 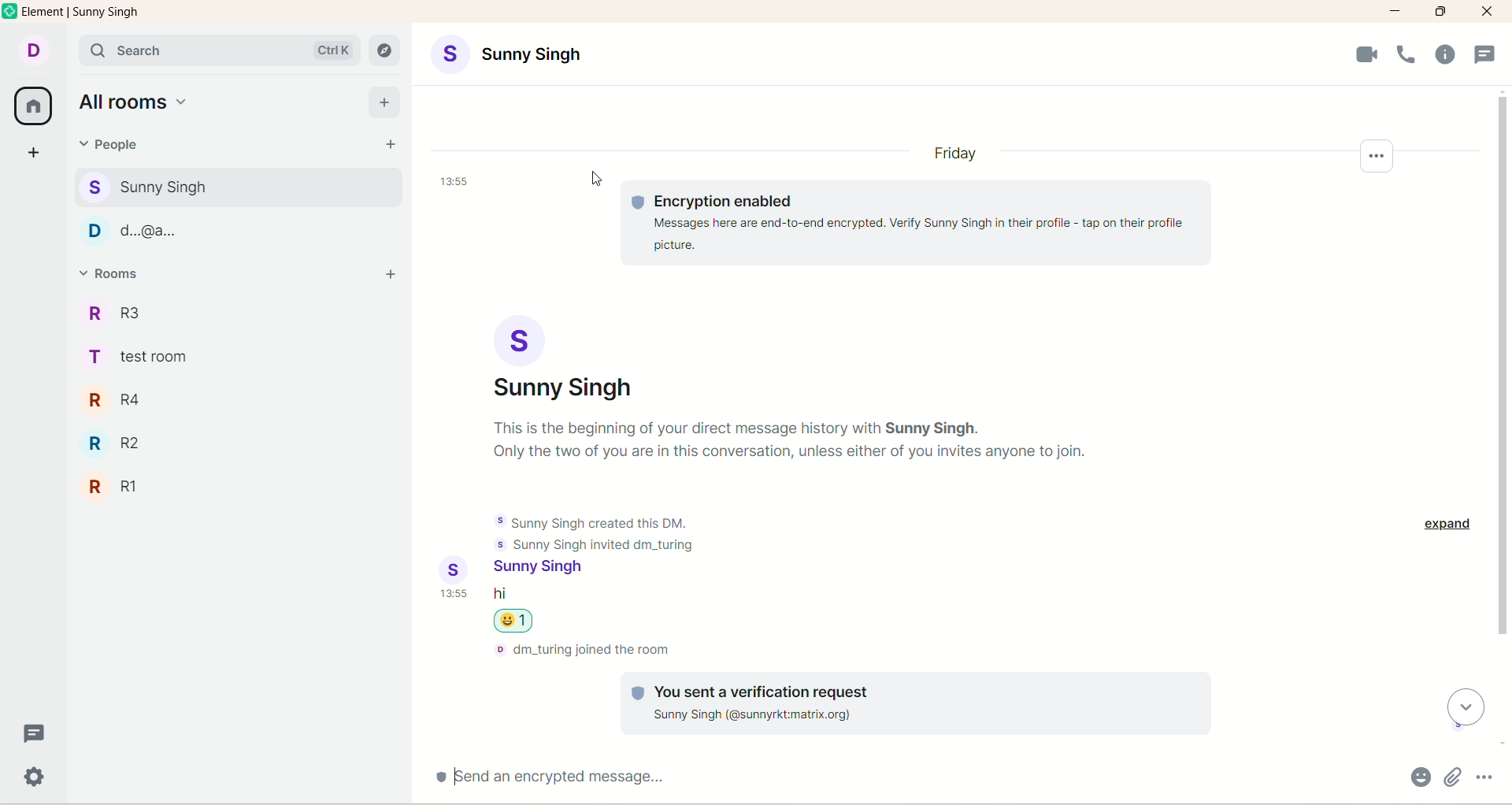 What do you see at coordinates (145, 357) in the screenshot?
I see `test room` at bounding box center [145, 357].